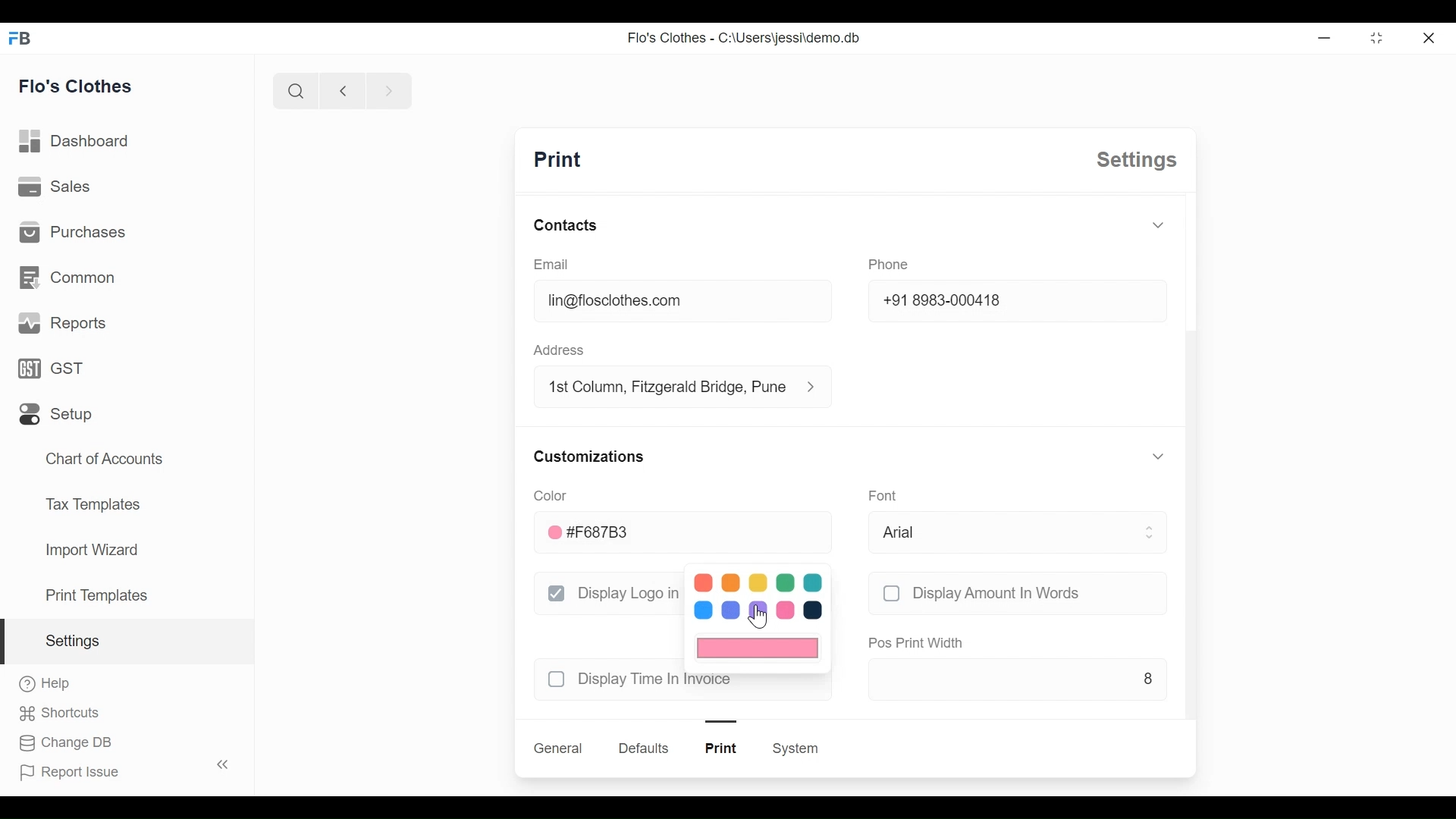  Describe the element at coordinates (666, 385) in the screenshot. I see `1st column, fitzgerald bridge, Pune` at that location.